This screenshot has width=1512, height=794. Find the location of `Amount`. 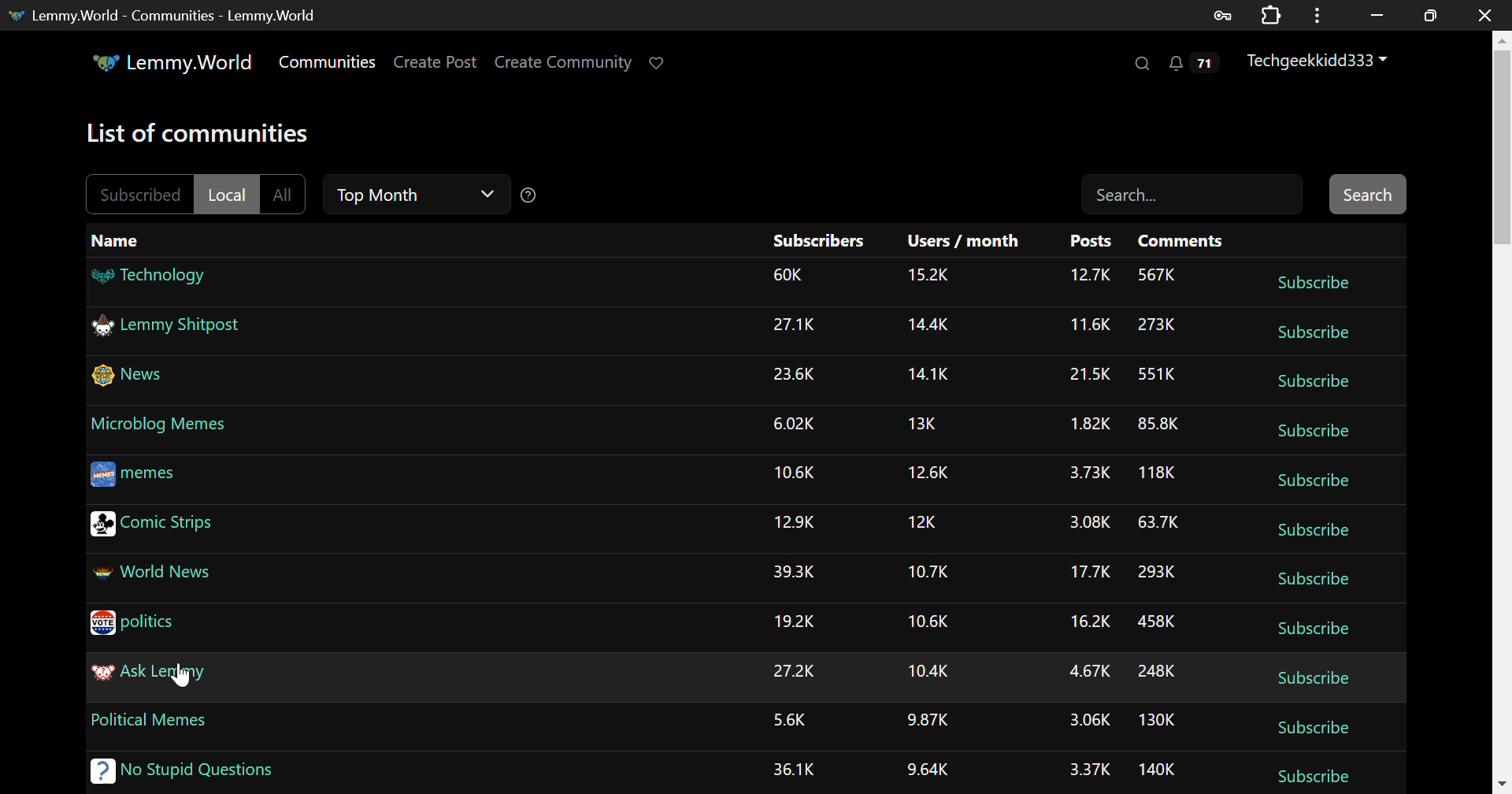

Amount is located at coordinates (1090, 325).